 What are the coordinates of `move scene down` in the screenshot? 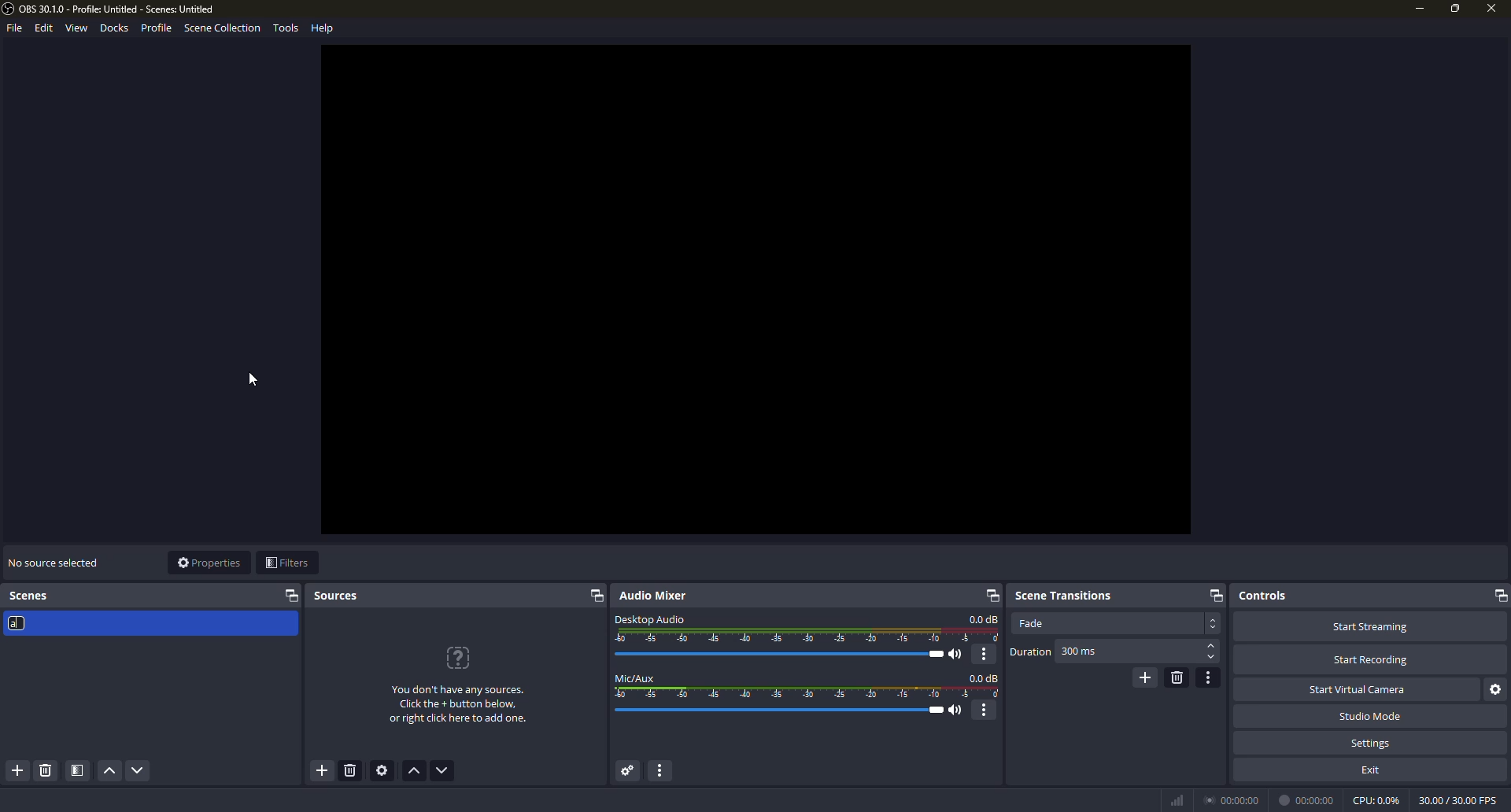 It's located at (139, 772).